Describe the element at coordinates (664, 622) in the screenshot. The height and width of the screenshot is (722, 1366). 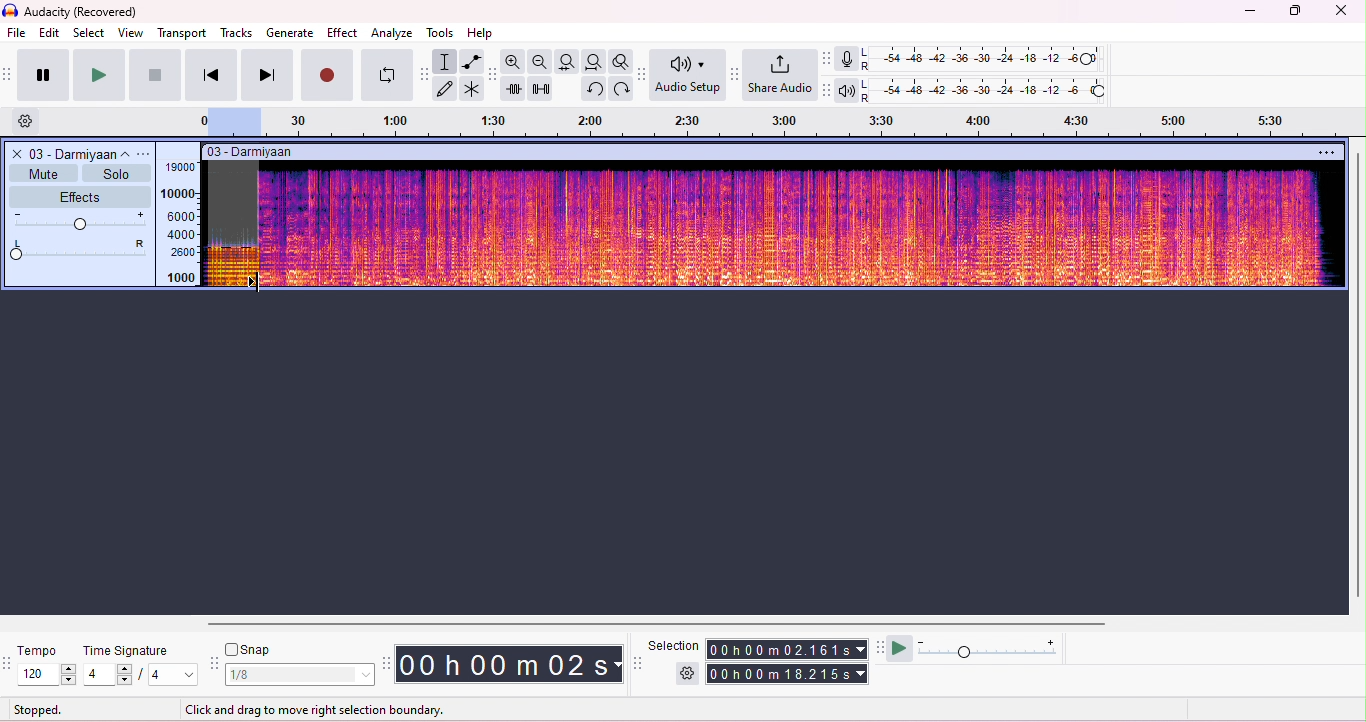
I see `horizontal scroll bar` at that location.